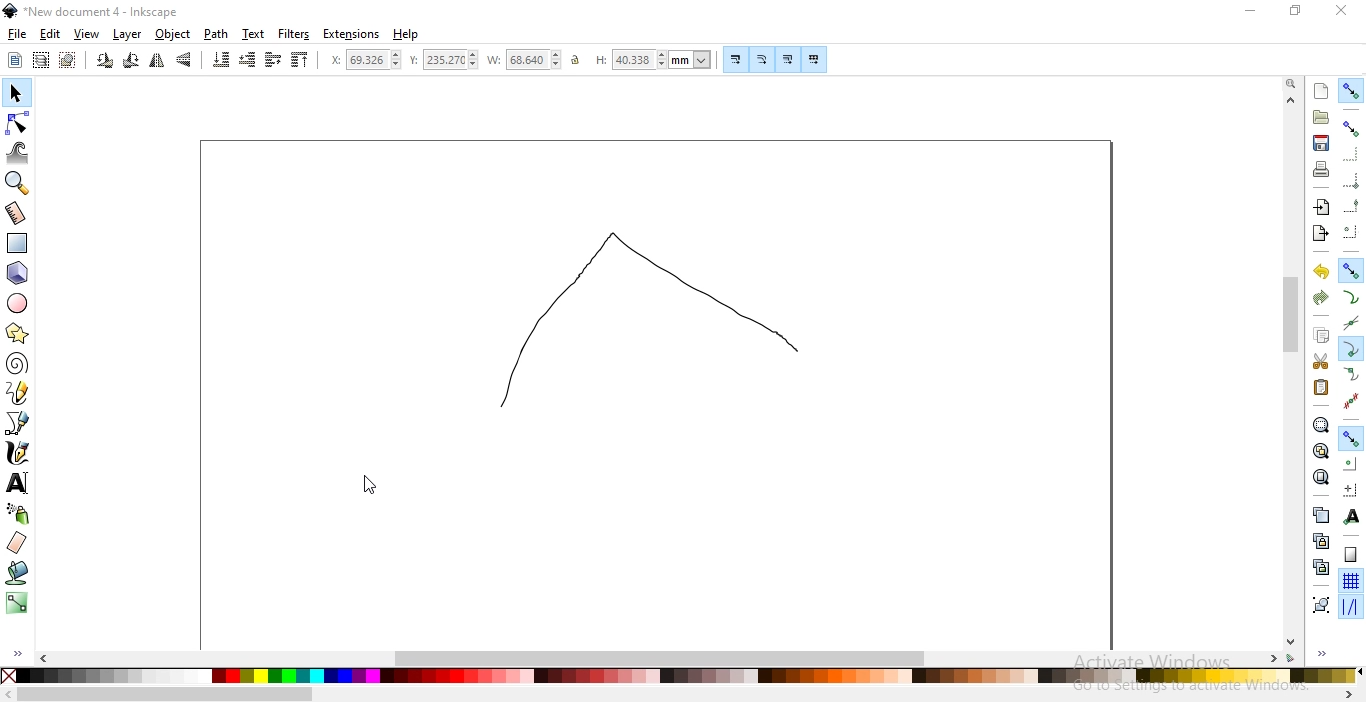 The image size is (1366, 702). What do you see at coordinates (1321, 117) in the screenshot?
I see `open an existing document` at bounding box center [1321, 117].